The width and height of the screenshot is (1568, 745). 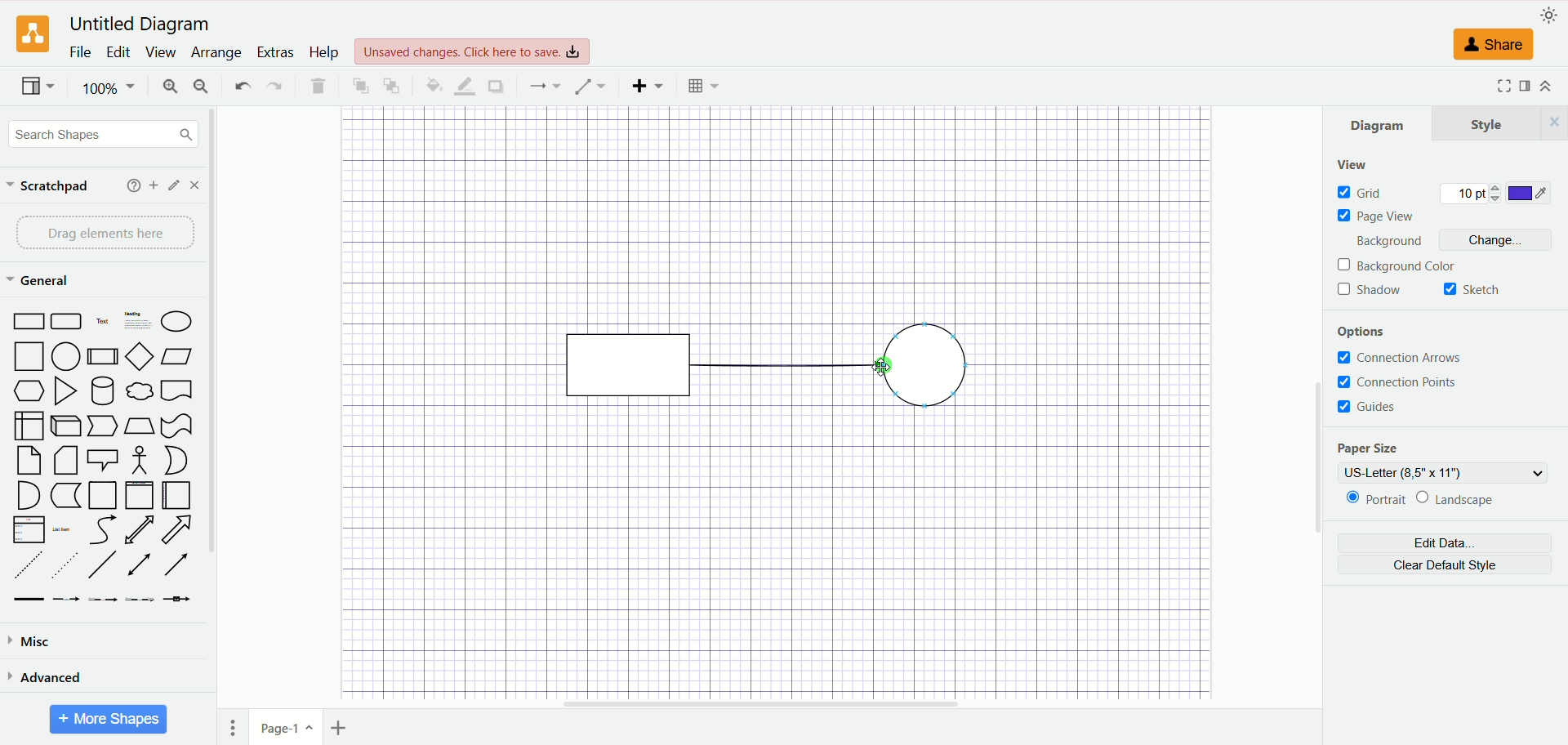 What do you see at coordinates (29, 602) in the screenshot?
I see `Link` at bounding box center [29, 602].